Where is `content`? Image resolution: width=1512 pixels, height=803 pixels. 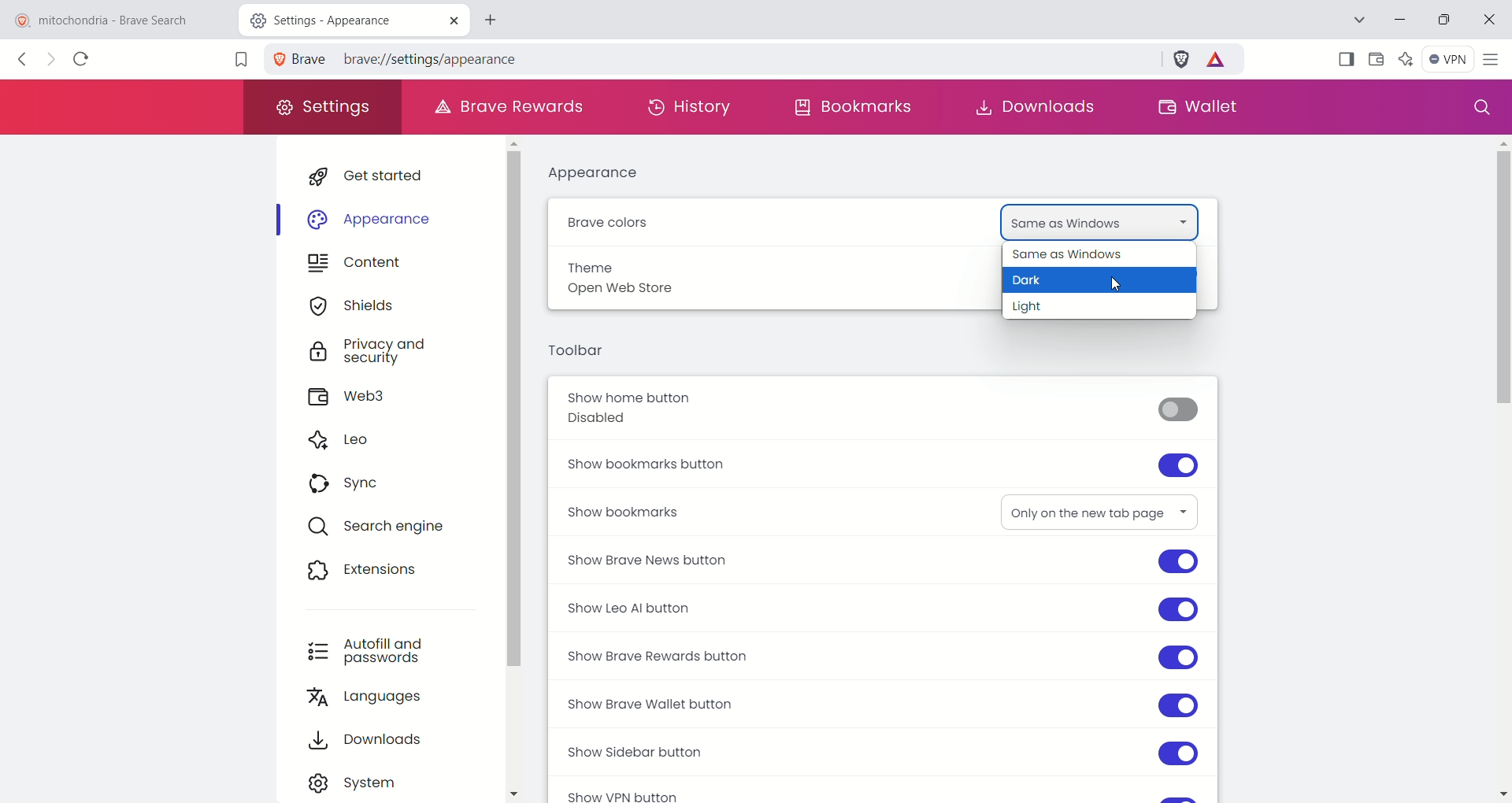 content is located at coordinates (362, 266).